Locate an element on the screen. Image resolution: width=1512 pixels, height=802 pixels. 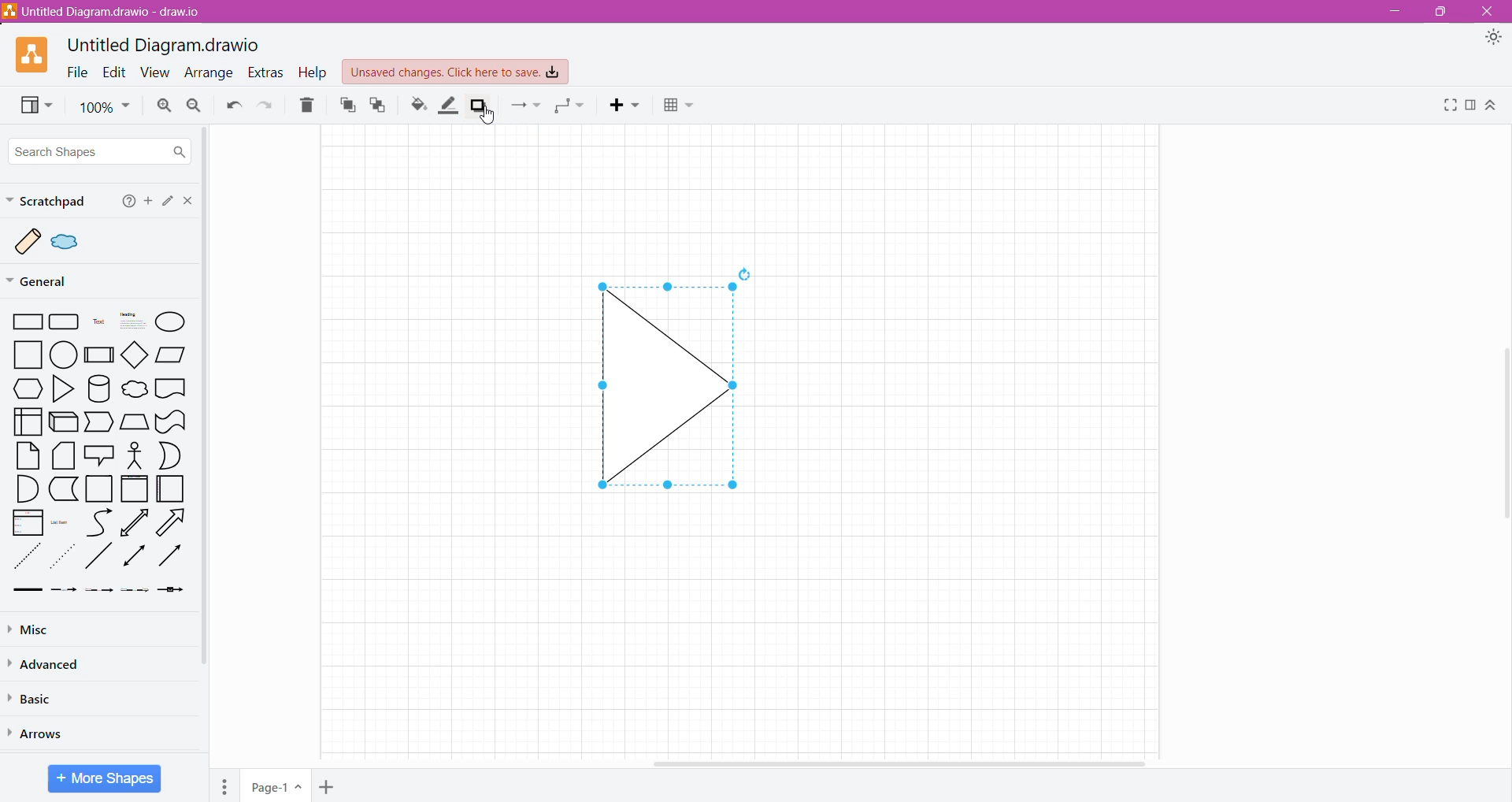
Untitled Diagram.draw.io is located at coordinates (164, 46).